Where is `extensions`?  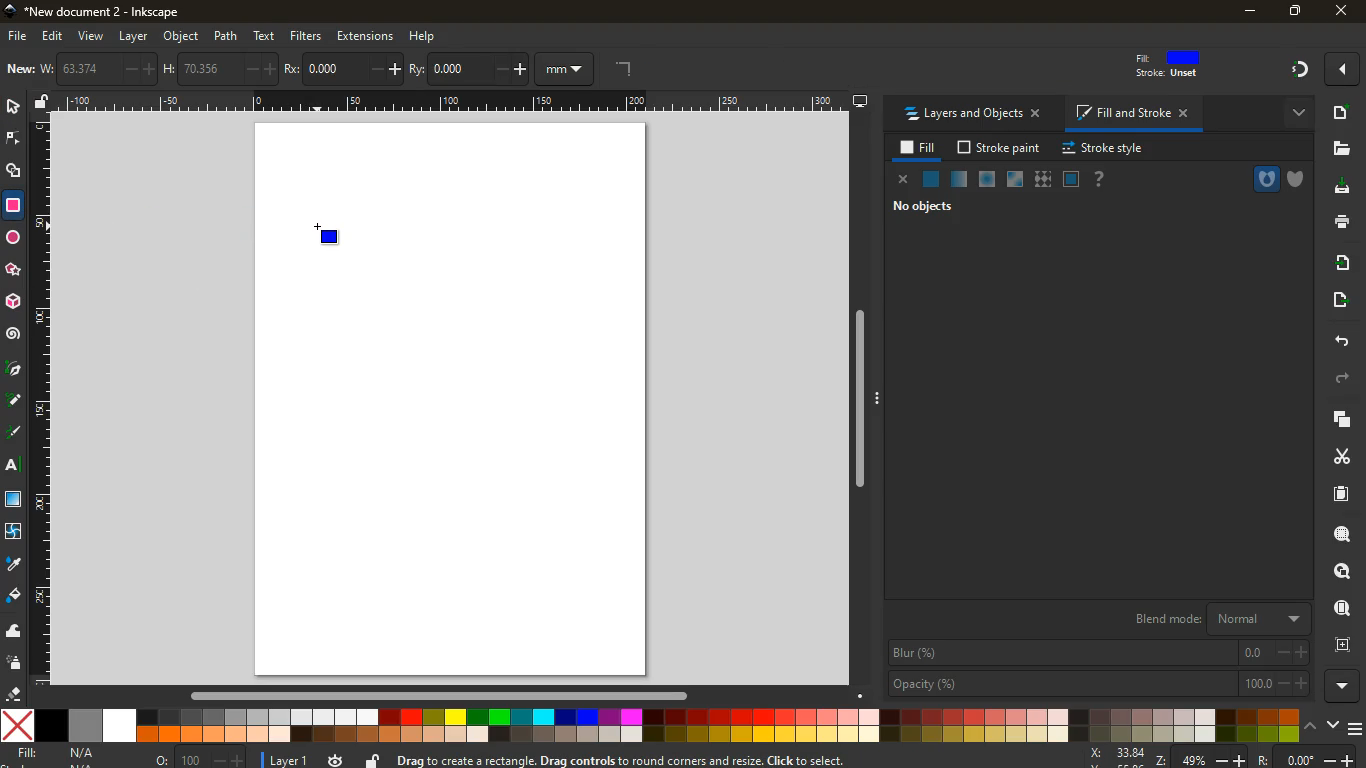 extensions is located at coordinates (365, 37).